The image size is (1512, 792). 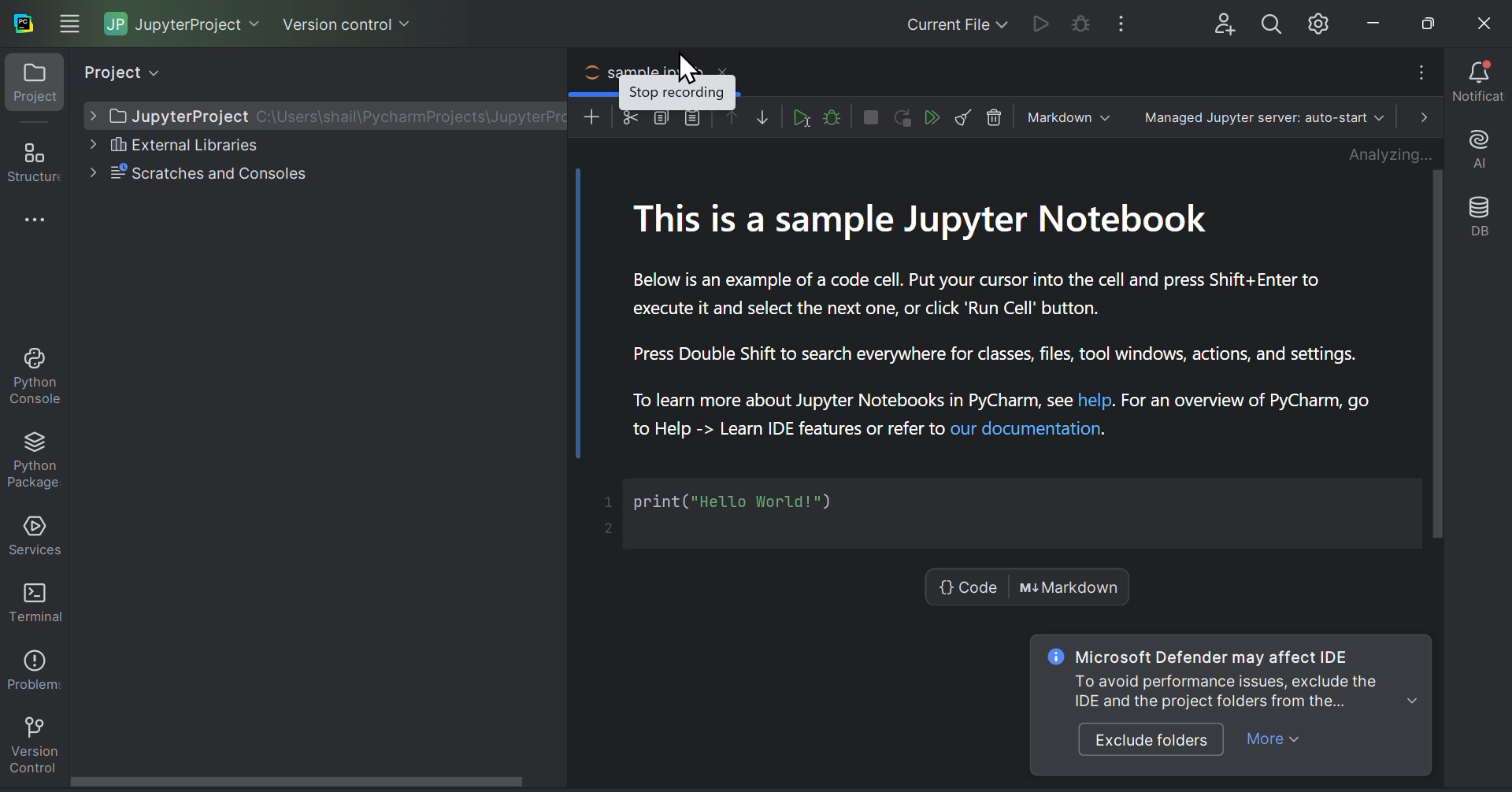 What do you see at coordinates (1037, 22) in the screenshot?
I see `Run file` at bounding box center [1037, 22].